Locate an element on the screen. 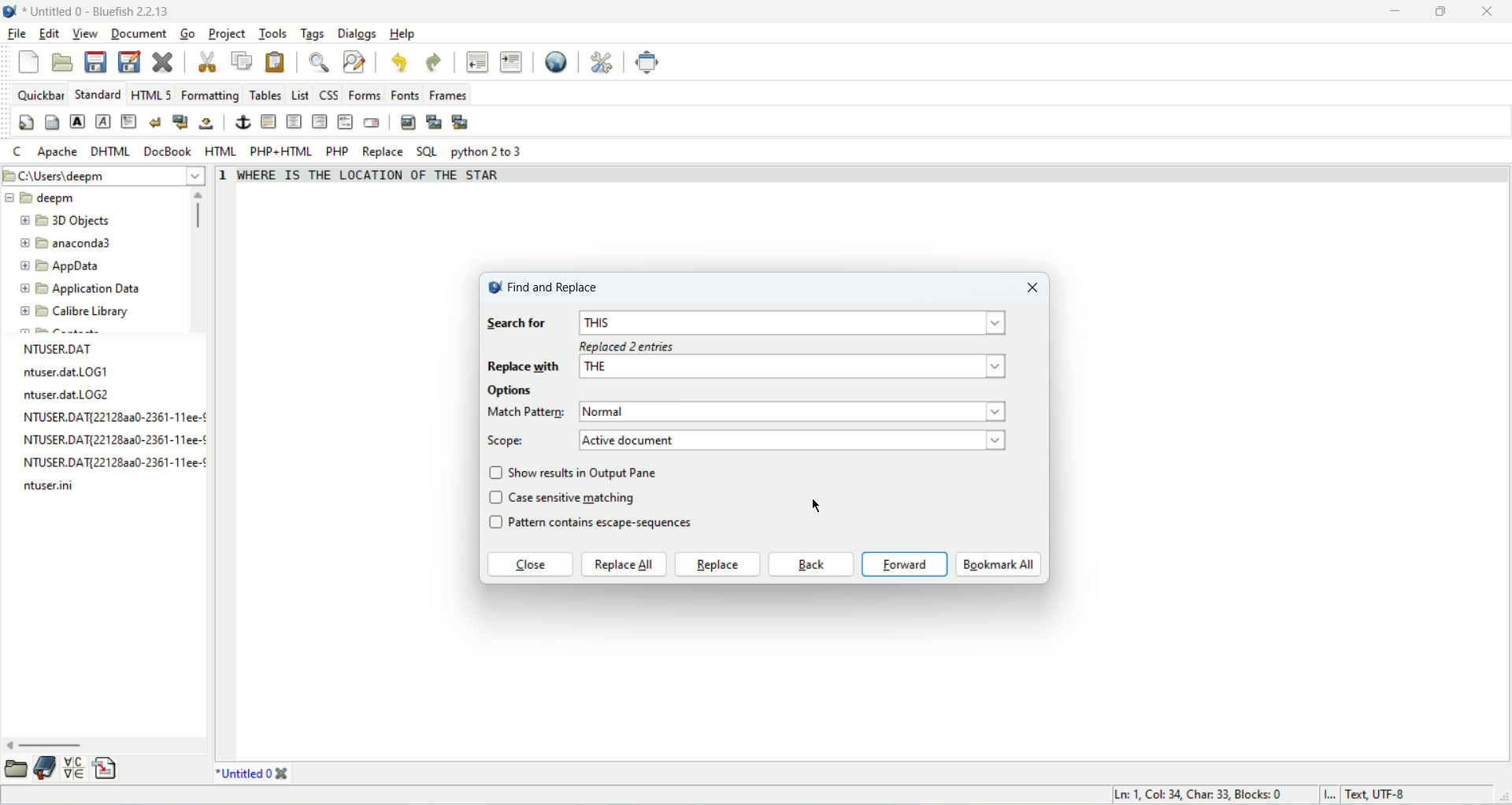  formatting is located at coordinates (209, 96).